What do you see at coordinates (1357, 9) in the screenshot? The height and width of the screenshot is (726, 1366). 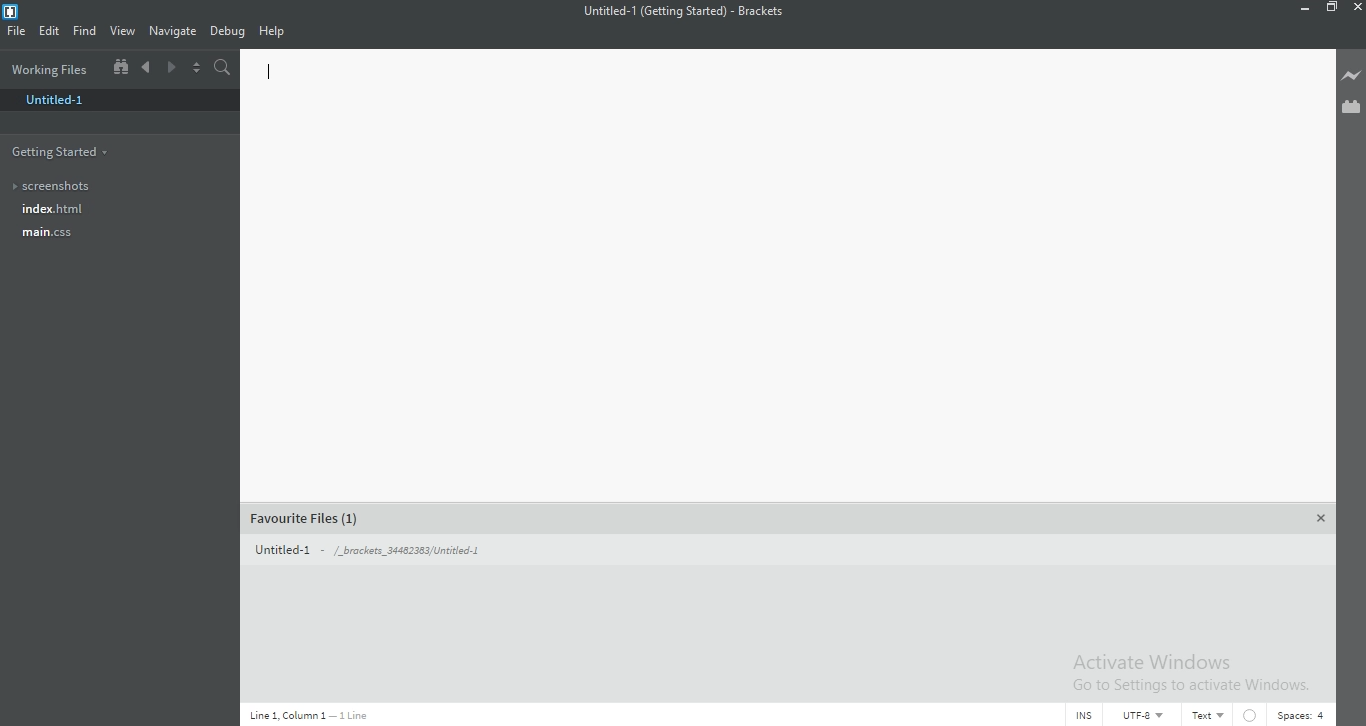 I see `Close` at bounding box center [1357, 9].